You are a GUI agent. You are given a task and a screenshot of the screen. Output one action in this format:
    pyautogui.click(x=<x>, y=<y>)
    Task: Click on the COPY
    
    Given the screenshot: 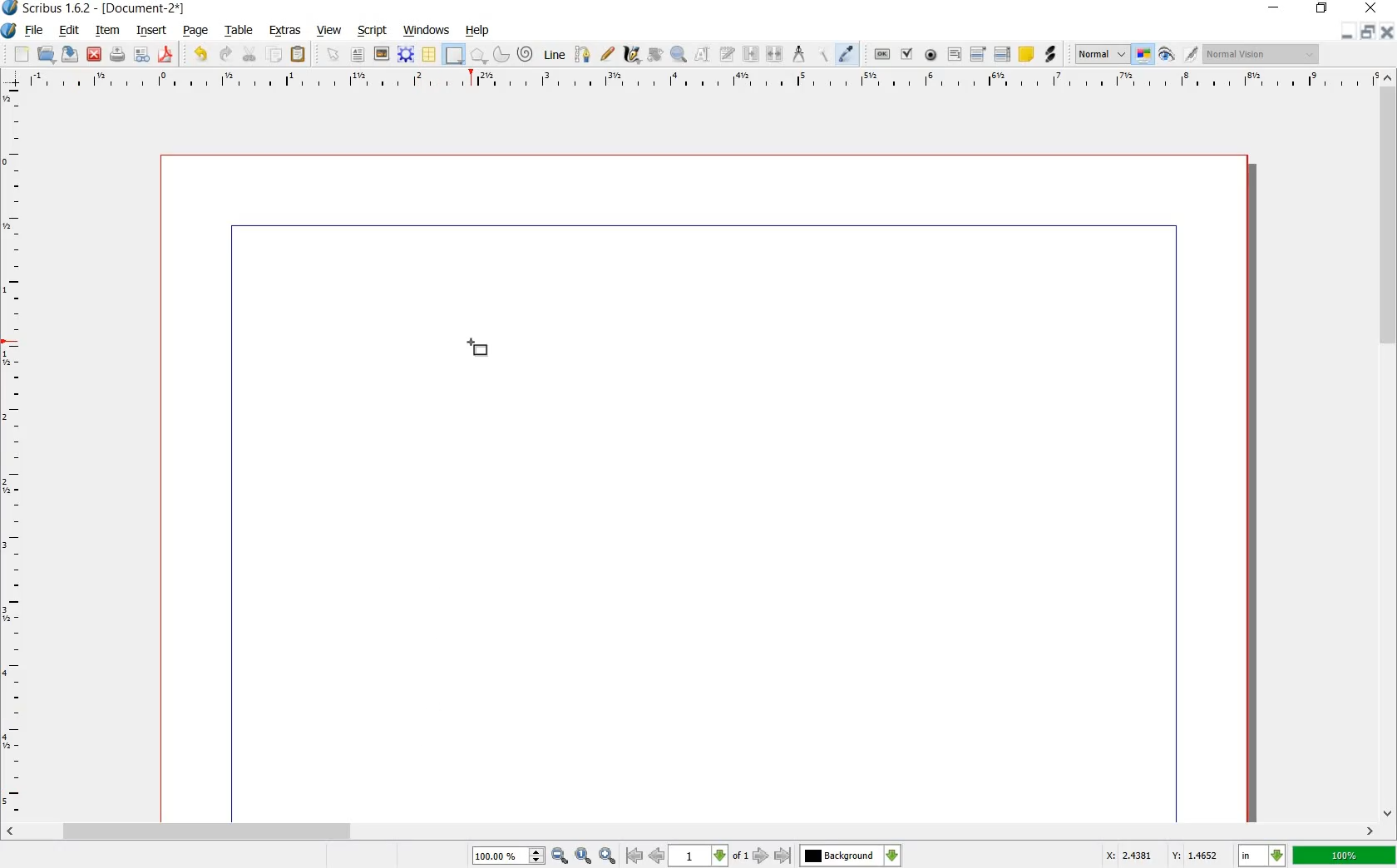 What is the action you would take?
    pyautogui.click(x=276, y=55)
    